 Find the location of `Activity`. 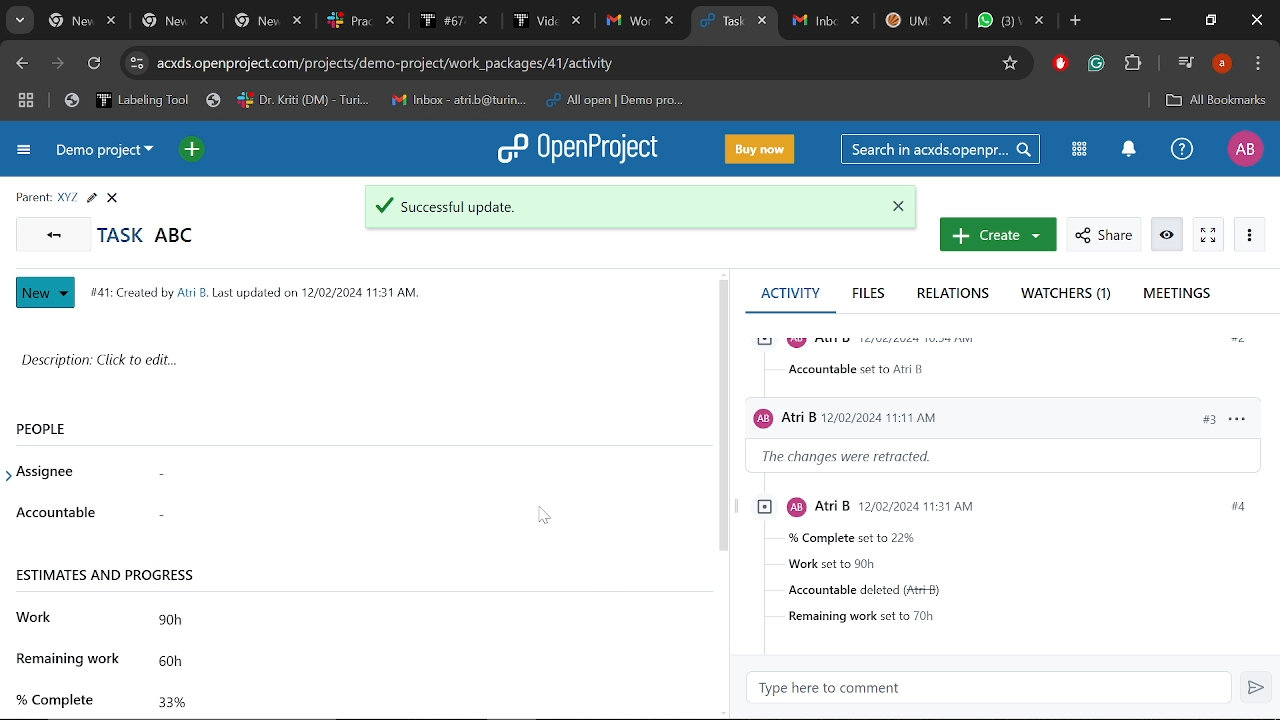

Activity is located at coordinates (790, 292).